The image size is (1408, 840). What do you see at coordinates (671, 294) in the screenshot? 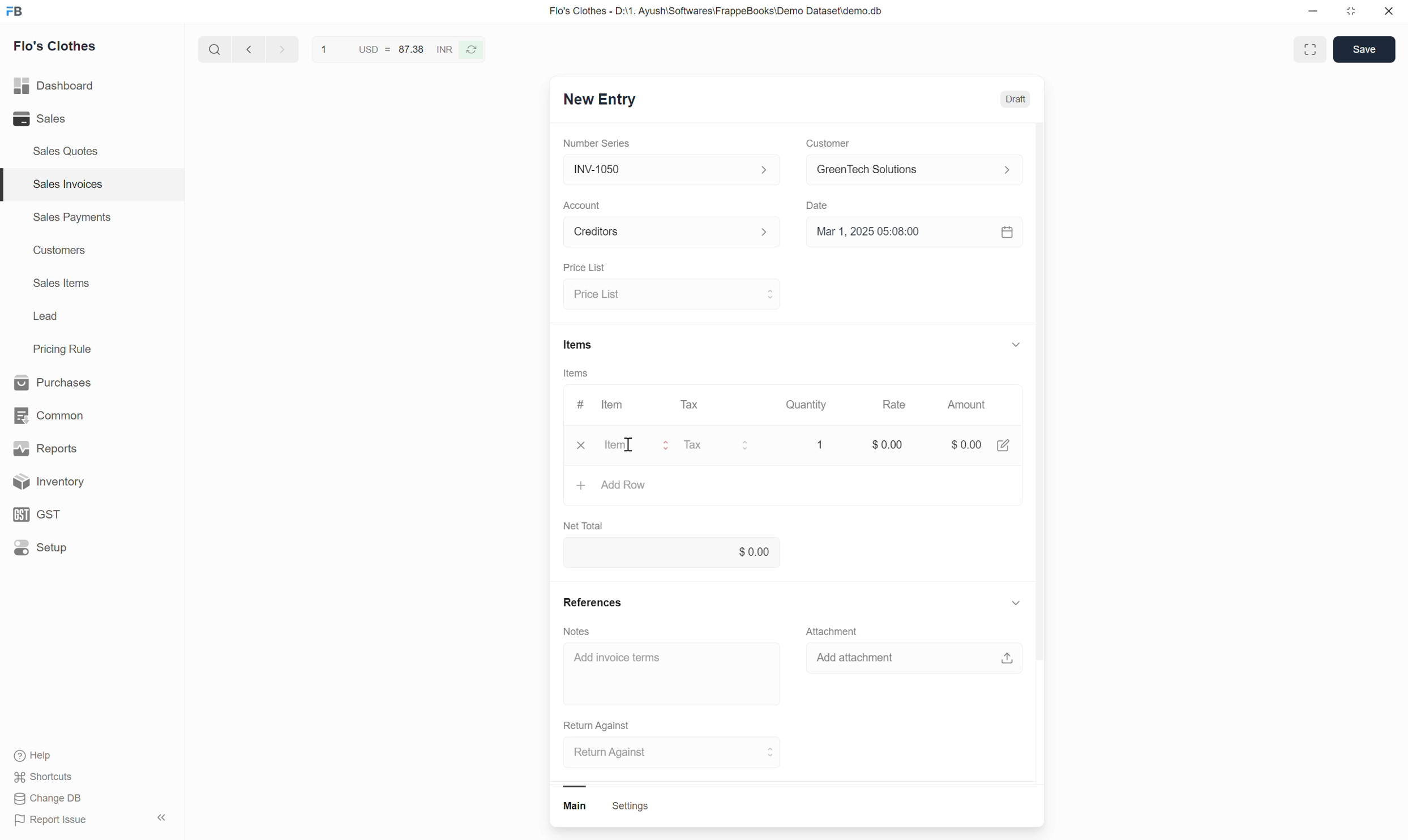
I see `select price list ` at bounding box center [671, 294].